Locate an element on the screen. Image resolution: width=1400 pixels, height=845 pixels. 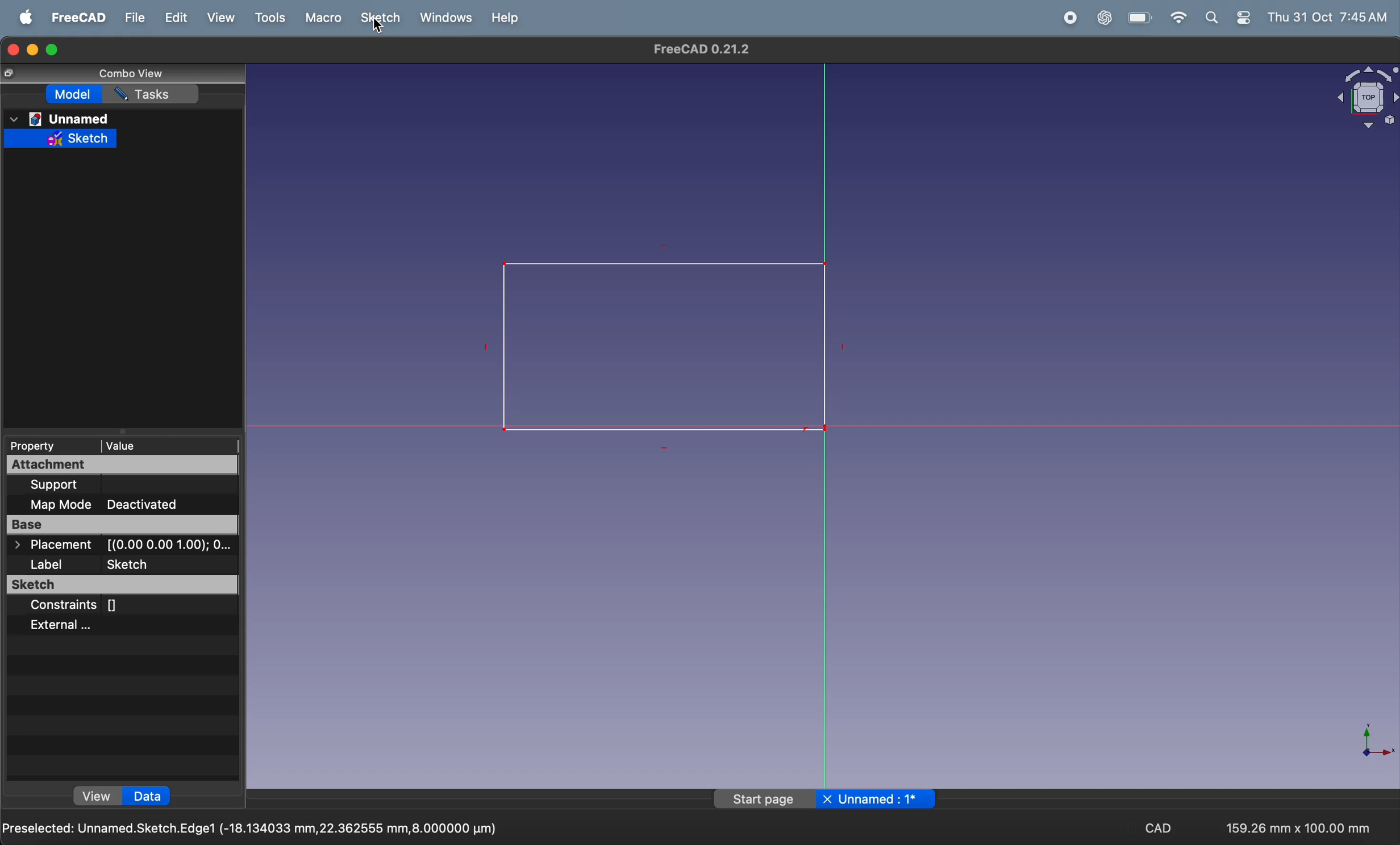
base is located at coordinates (123, 524).